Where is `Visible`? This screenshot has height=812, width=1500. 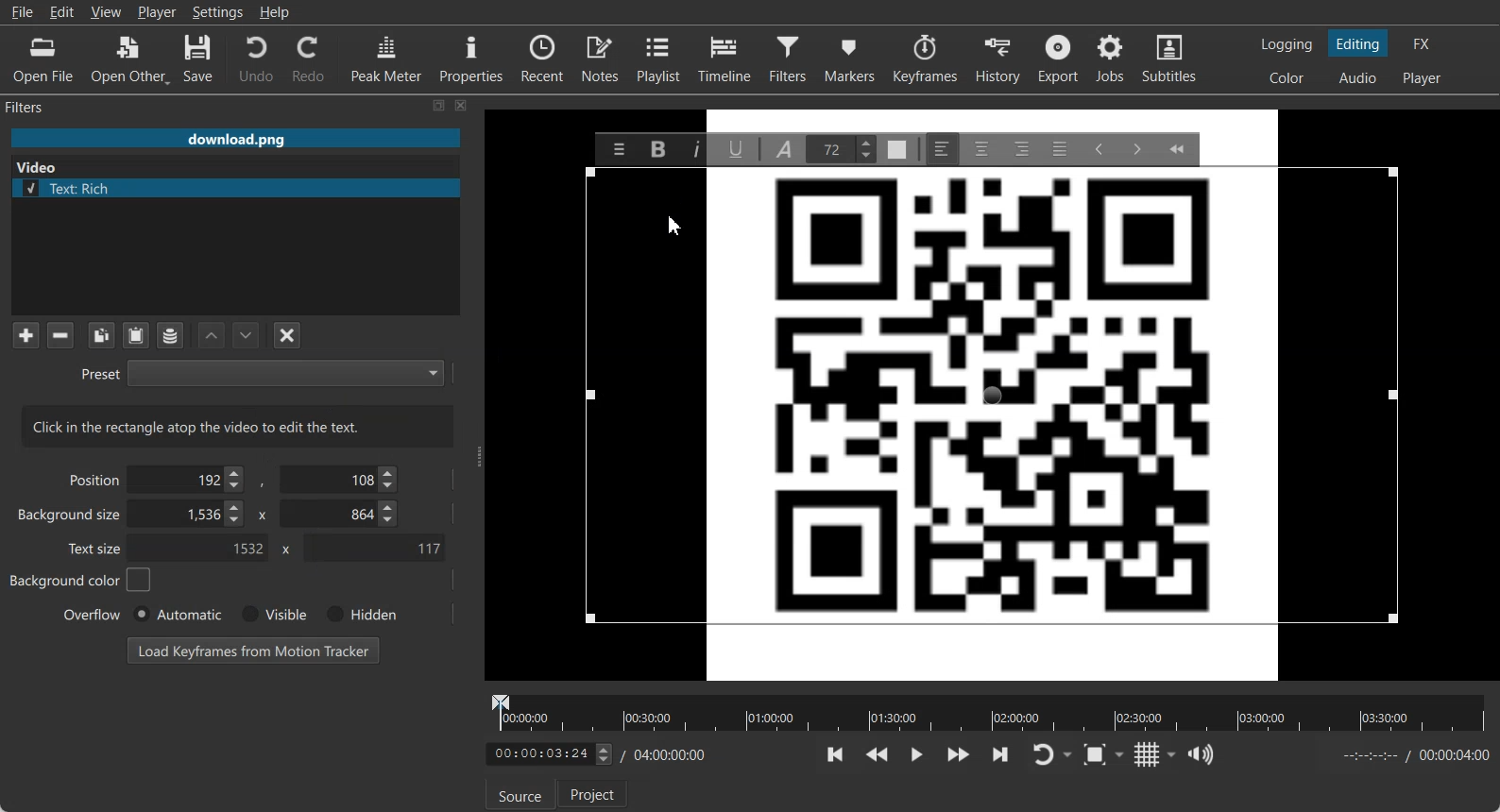
Visible is located at coordinates (272, 615).